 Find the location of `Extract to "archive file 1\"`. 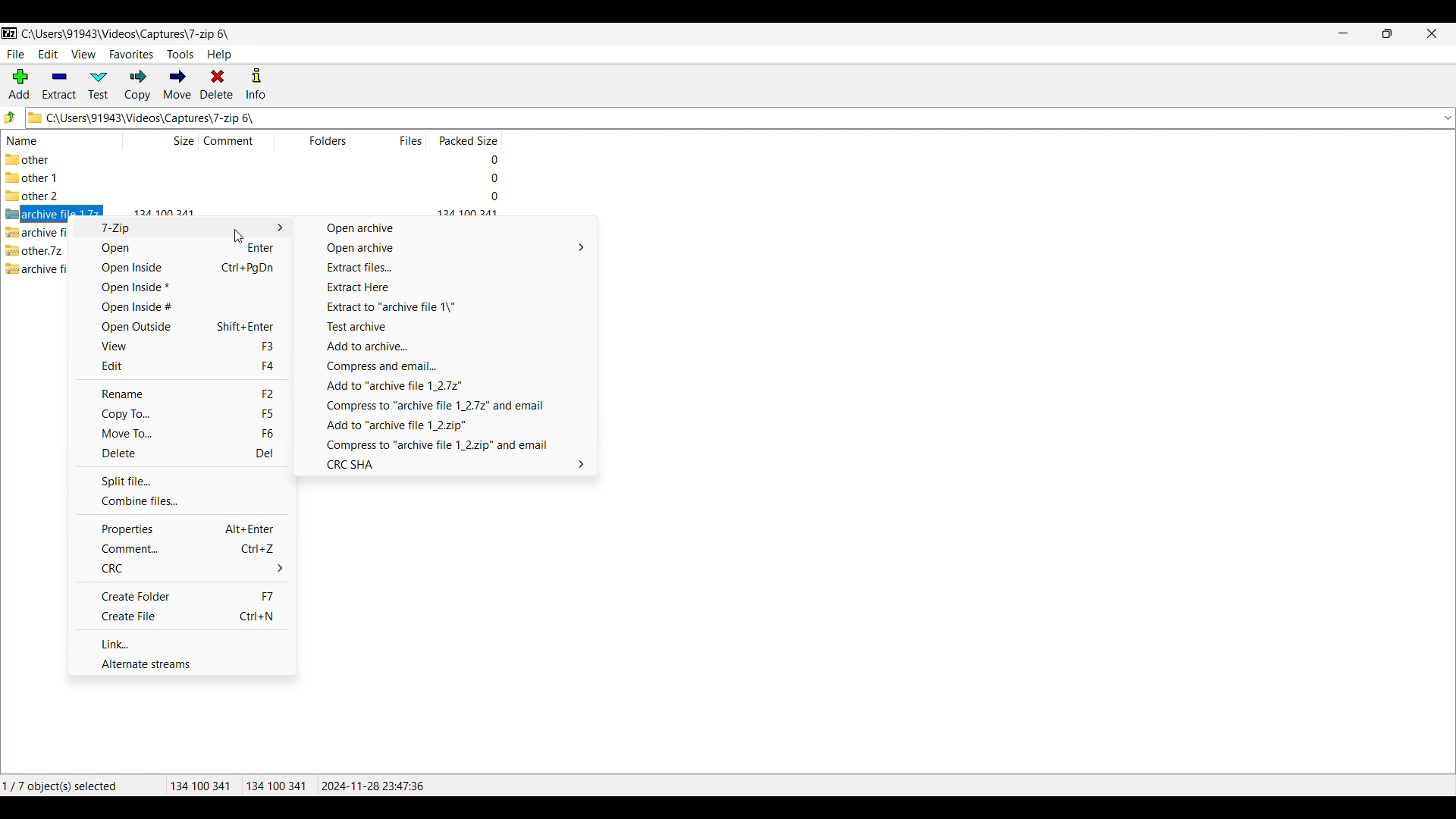

Extract to "archive file 1\" is located at coordinates (447, 307).